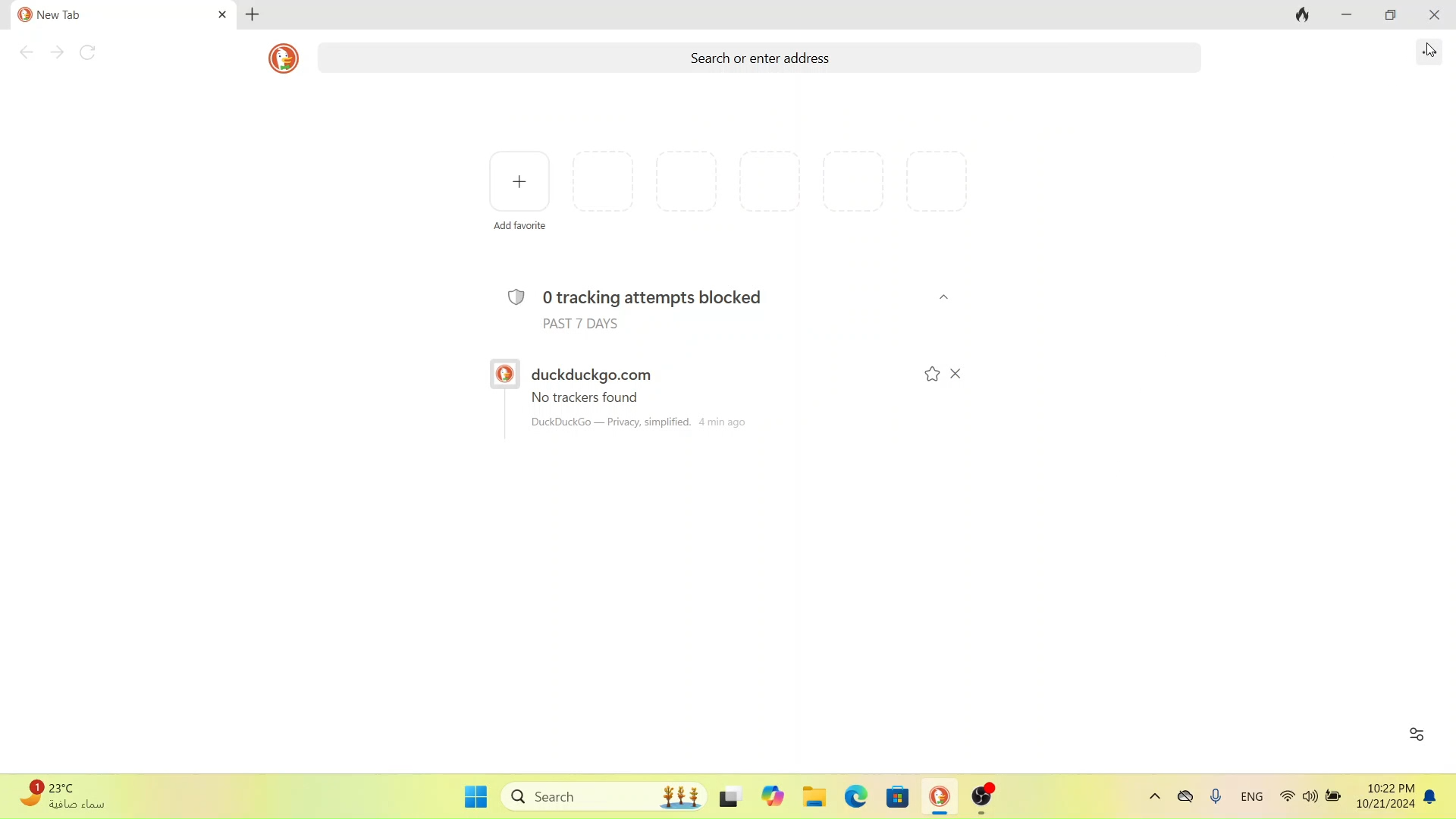 Image resolution: width=1456 pixels, height=819 pixels. Describe the element at coordinates (1154, 799) in the screenshot. I see `show hidden icons` at that location.